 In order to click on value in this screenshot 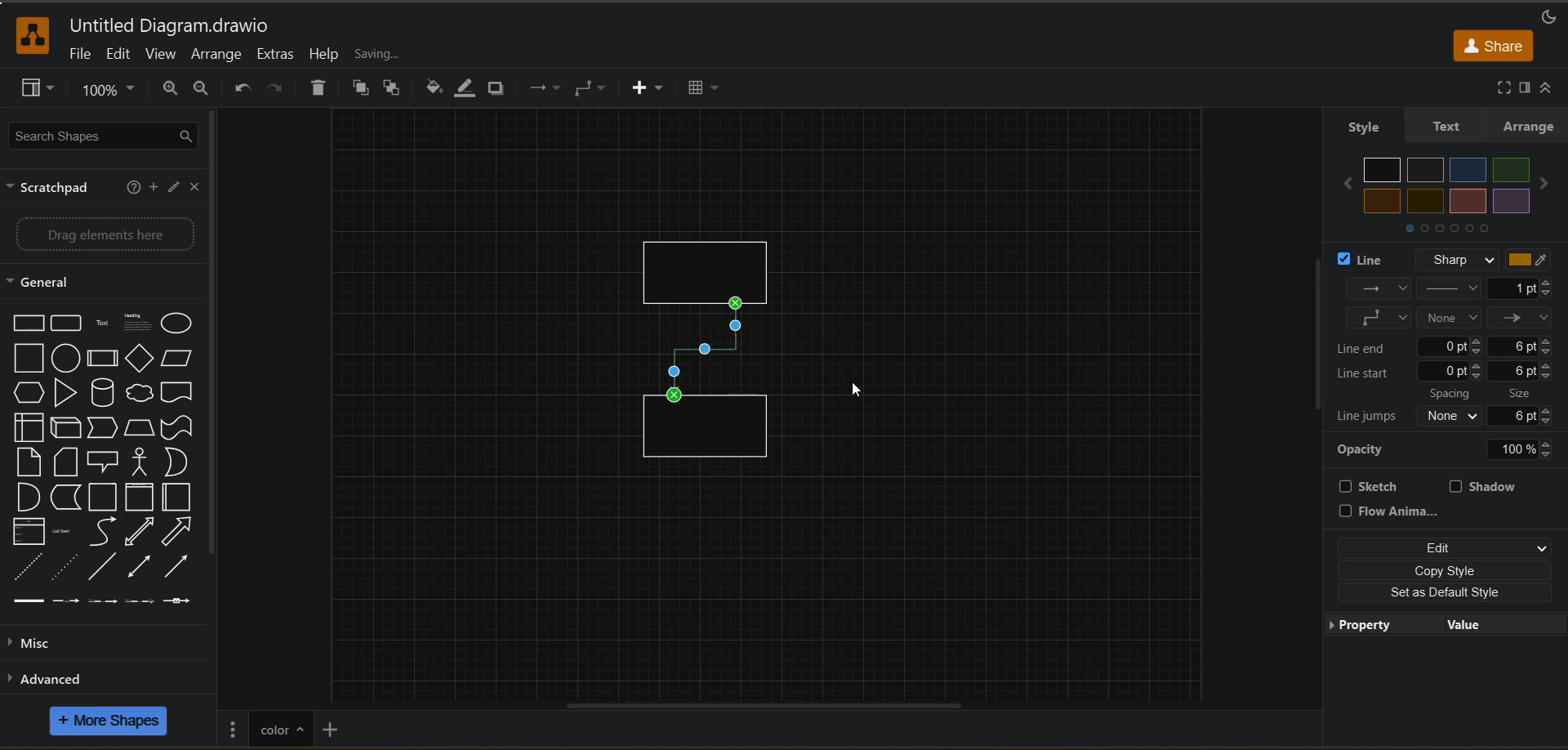, I will do `click(1459, 626)`.